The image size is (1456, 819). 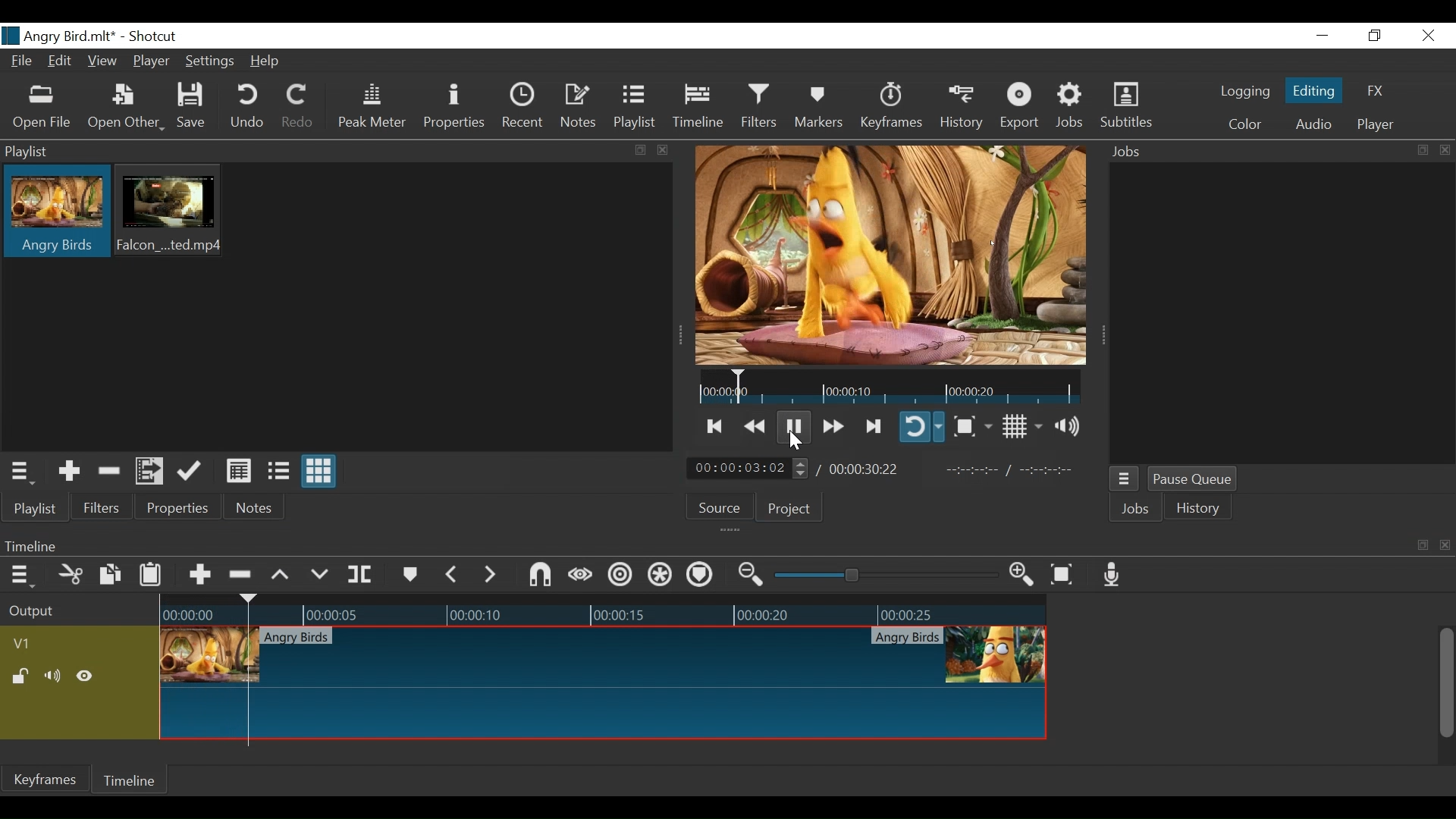 What do you see at coordinates (152, 36) in the screenshot?
I see `Shotcut` at bounding box center [152, 36].